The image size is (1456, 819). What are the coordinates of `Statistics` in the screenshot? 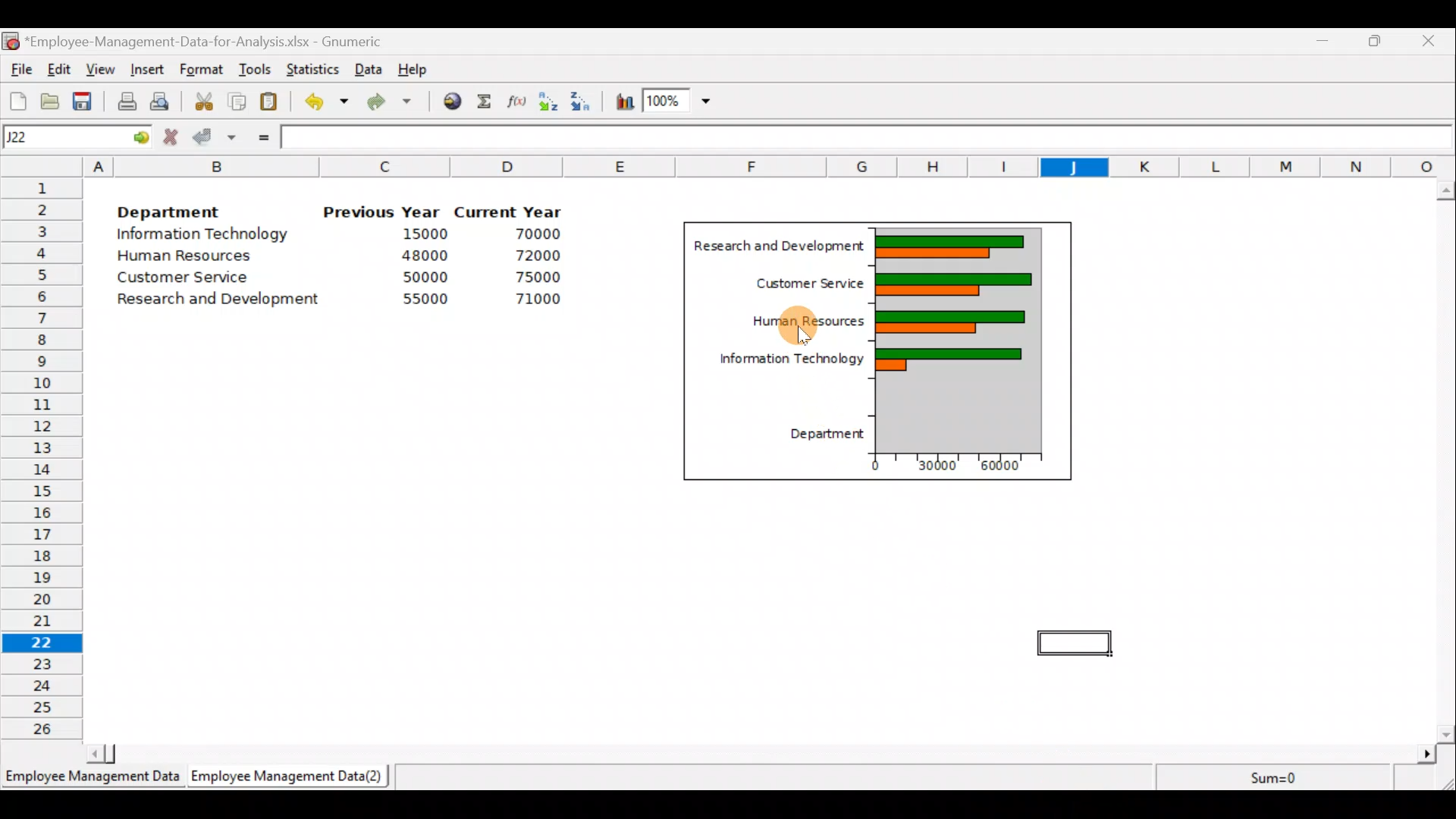 It's located at (313, 68).